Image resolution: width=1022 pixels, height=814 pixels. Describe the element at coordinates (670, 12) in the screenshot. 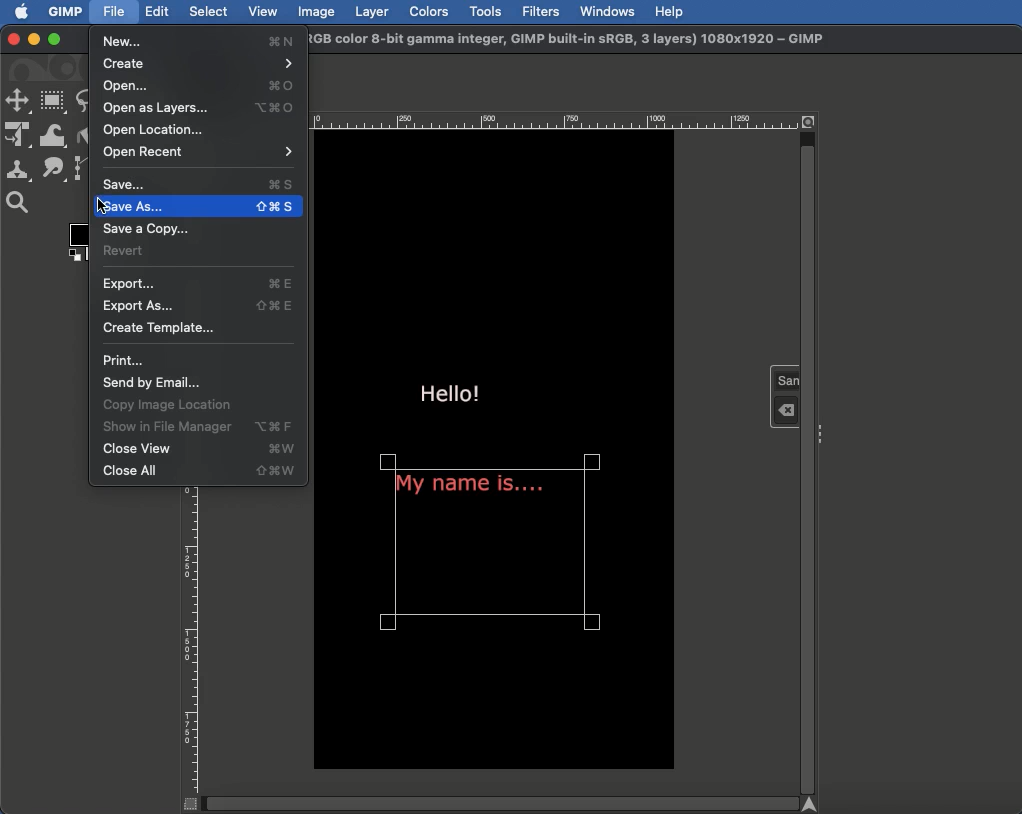

I see `Help` at that location.